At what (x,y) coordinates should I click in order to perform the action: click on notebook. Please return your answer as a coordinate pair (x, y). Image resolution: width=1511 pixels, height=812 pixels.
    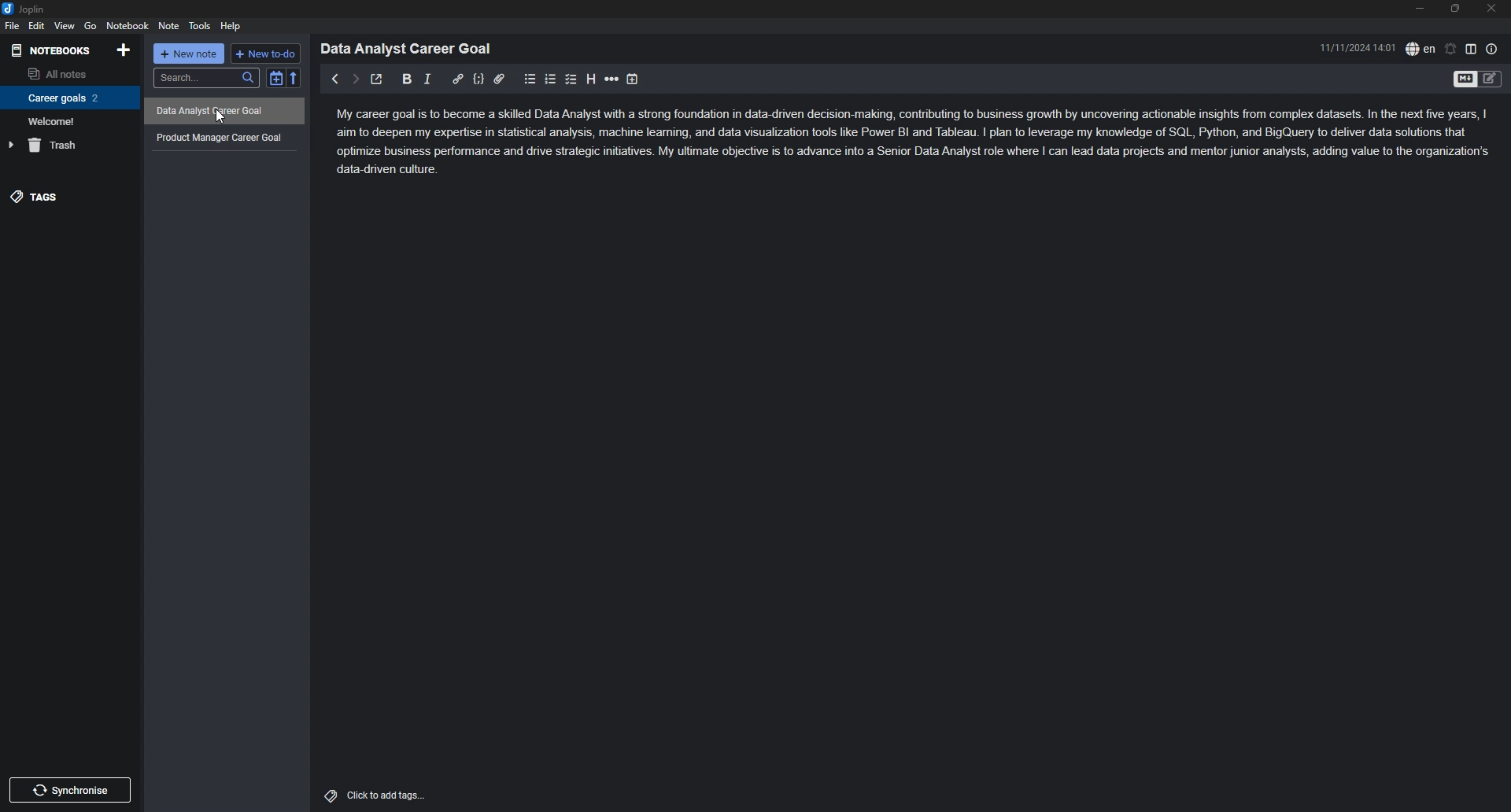
    Looking at the image, I should click on (127, 25).